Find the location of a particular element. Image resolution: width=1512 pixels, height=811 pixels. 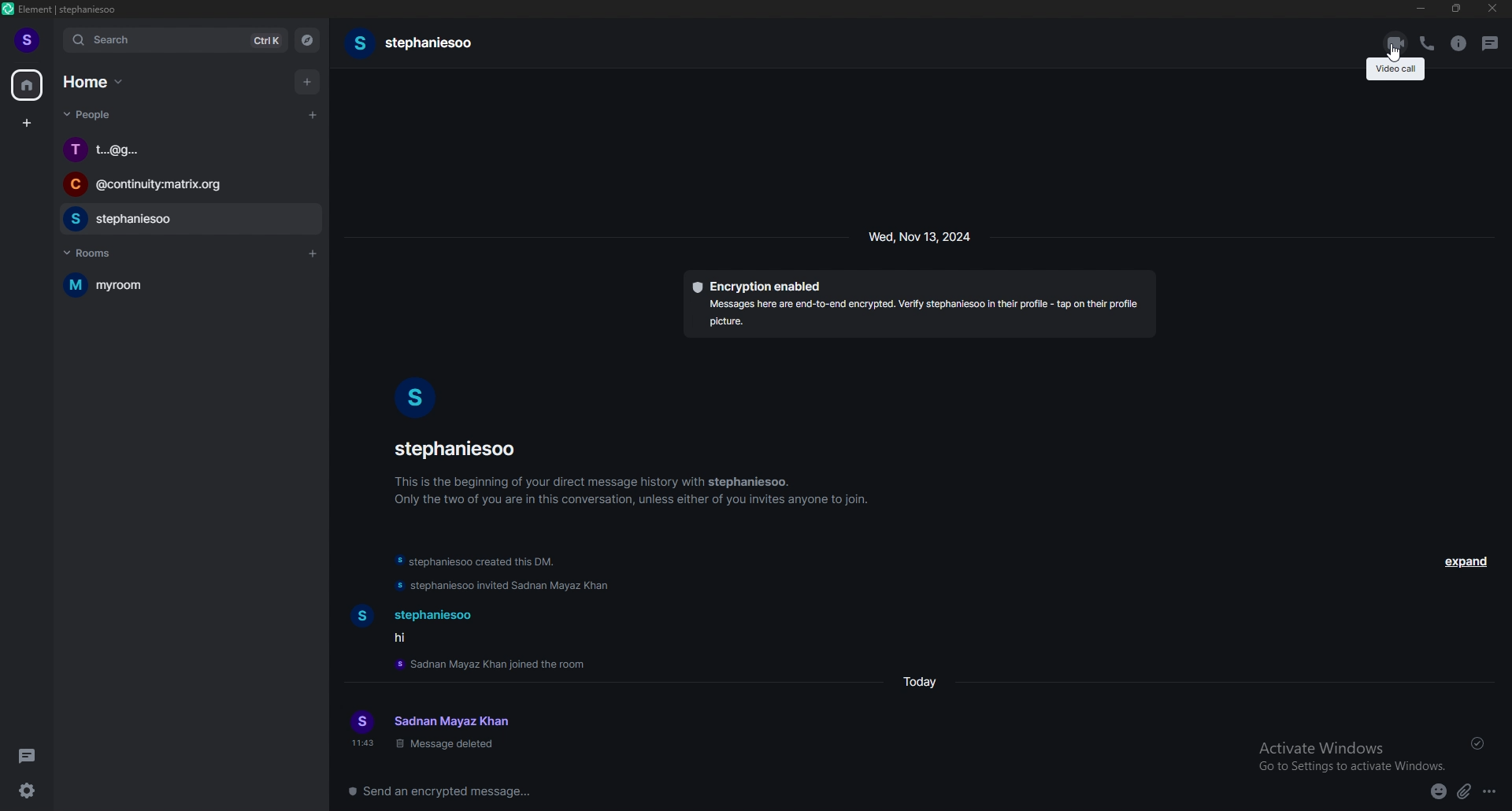

chat is located at coordinates (187, 186).